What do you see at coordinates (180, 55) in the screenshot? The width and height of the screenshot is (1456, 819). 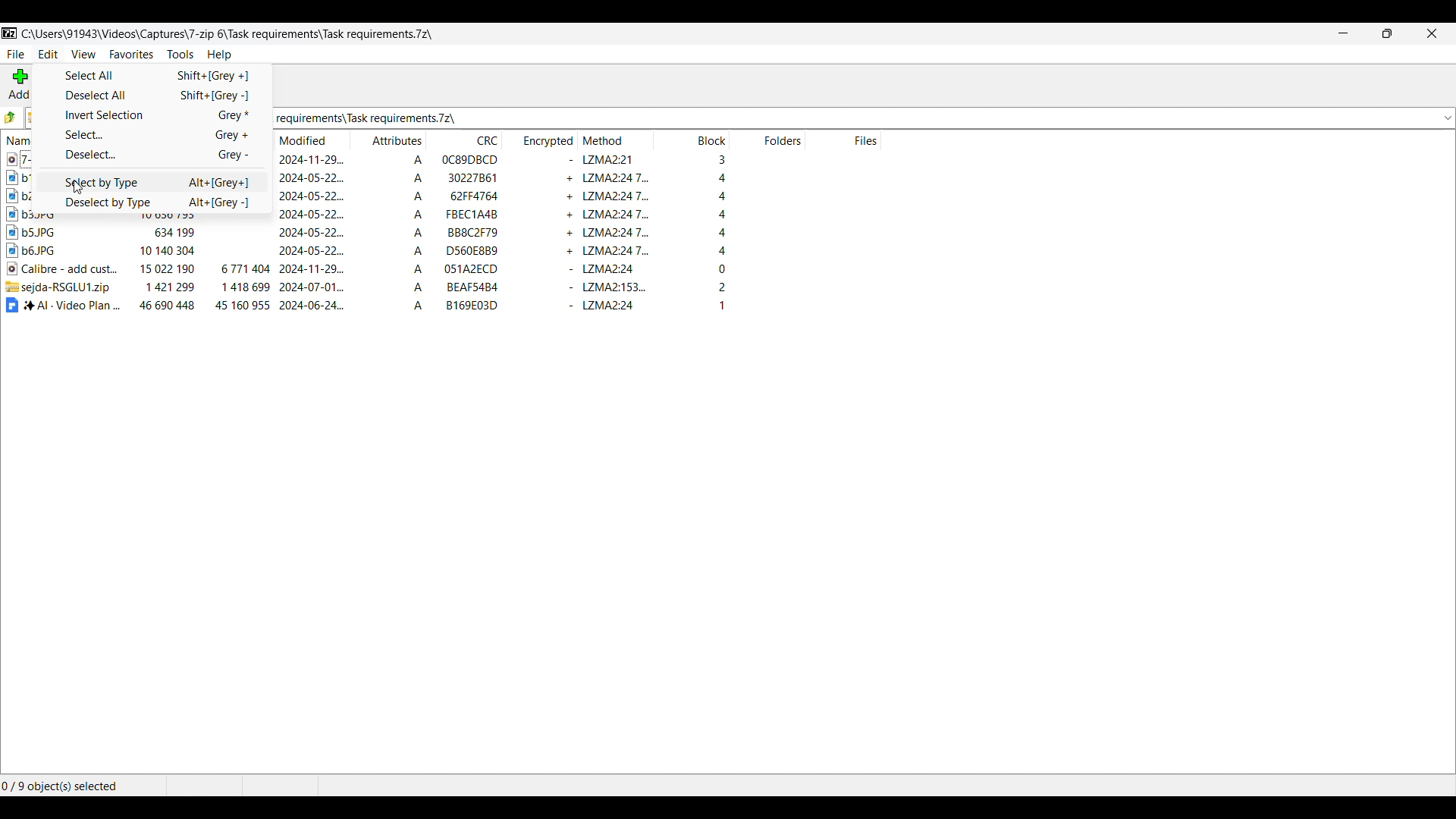 I see `Tools menu` at bounding box center [180, 55].